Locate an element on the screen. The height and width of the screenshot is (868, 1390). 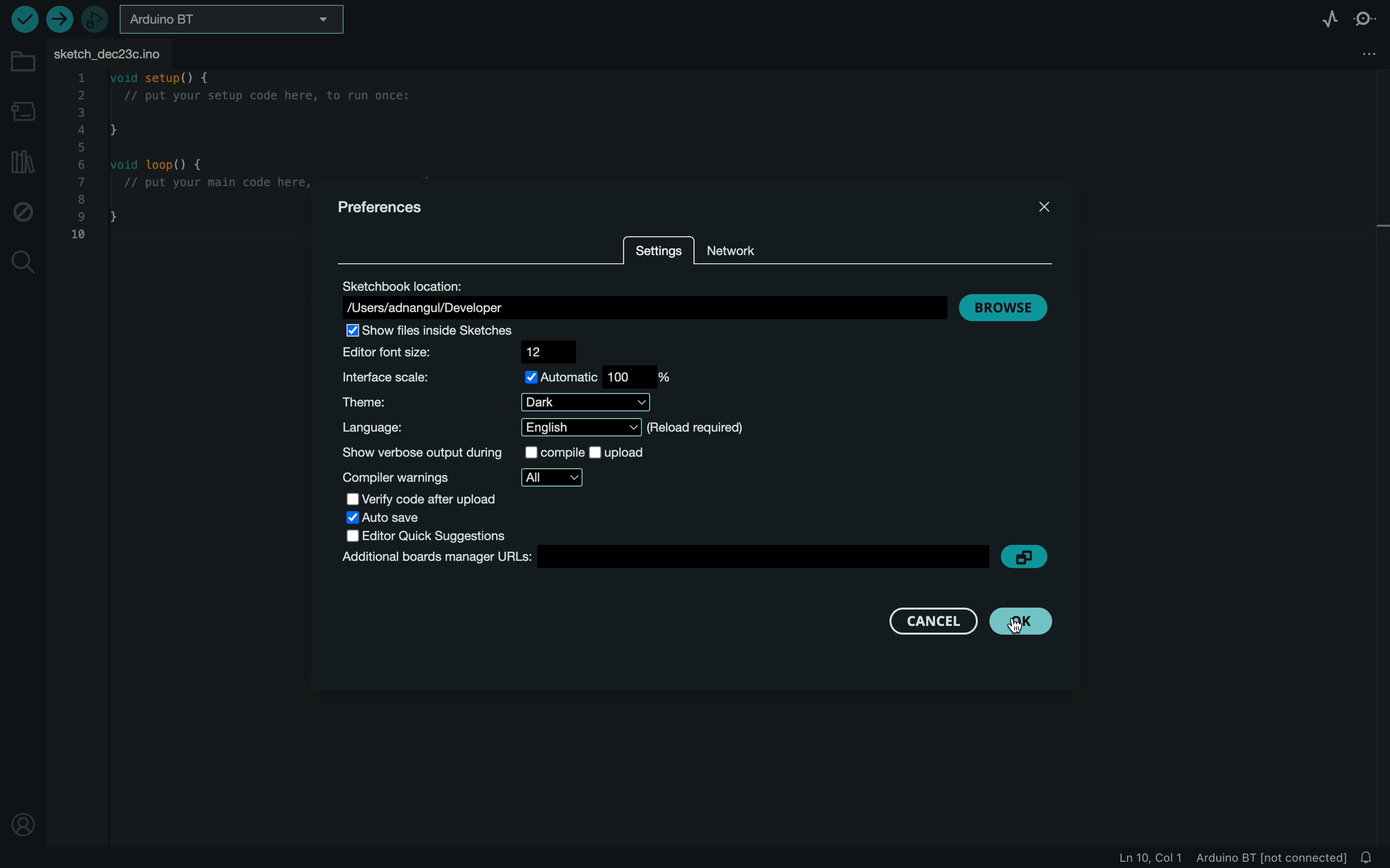
board manager is located at coordinates (25, 110).